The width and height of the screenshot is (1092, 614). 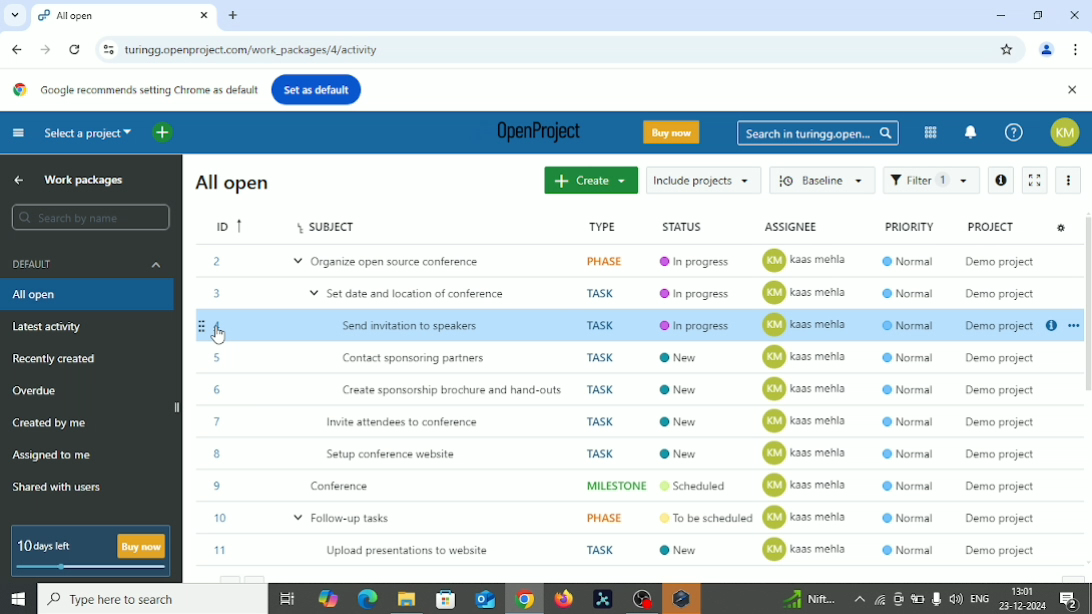 I want to click on Overdue, so click(x=37, y=391).